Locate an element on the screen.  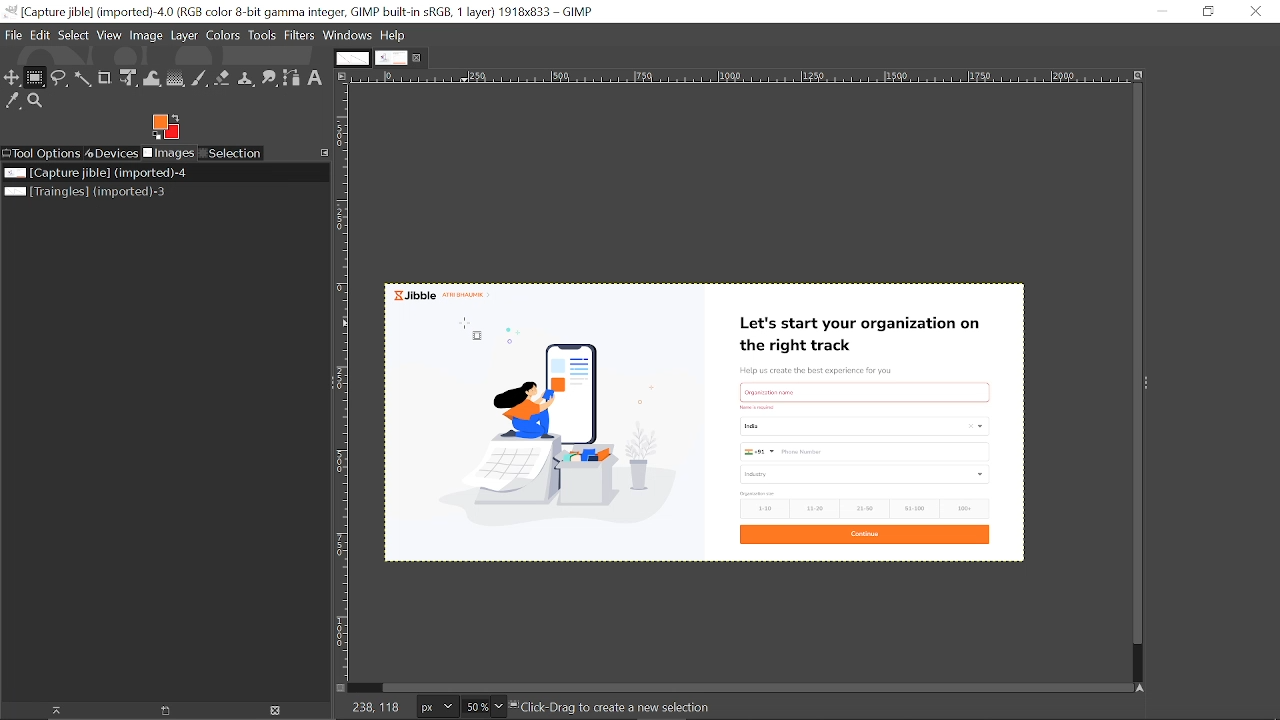
Configure this tab is located at coordinates (324, 153).